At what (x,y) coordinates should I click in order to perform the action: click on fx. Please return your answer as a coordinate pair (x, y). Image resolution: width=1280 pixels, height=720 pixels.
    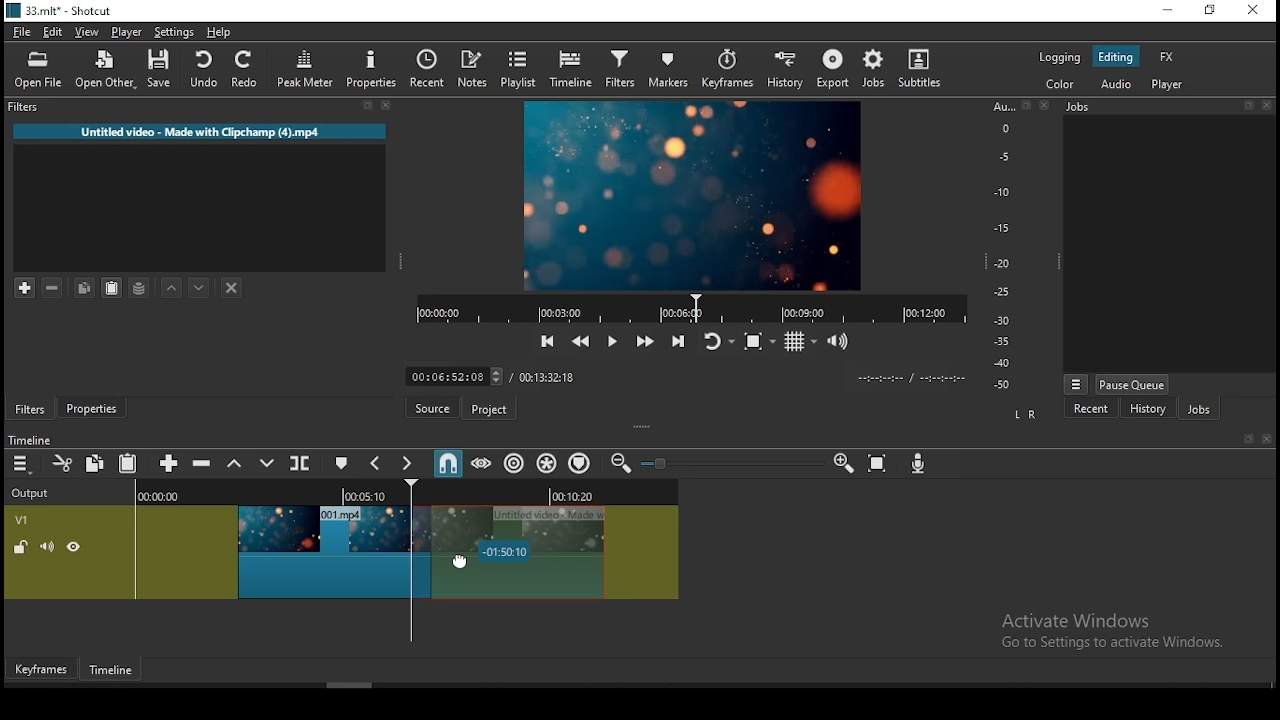
    Looking at the image, I should click on (1166, 56).